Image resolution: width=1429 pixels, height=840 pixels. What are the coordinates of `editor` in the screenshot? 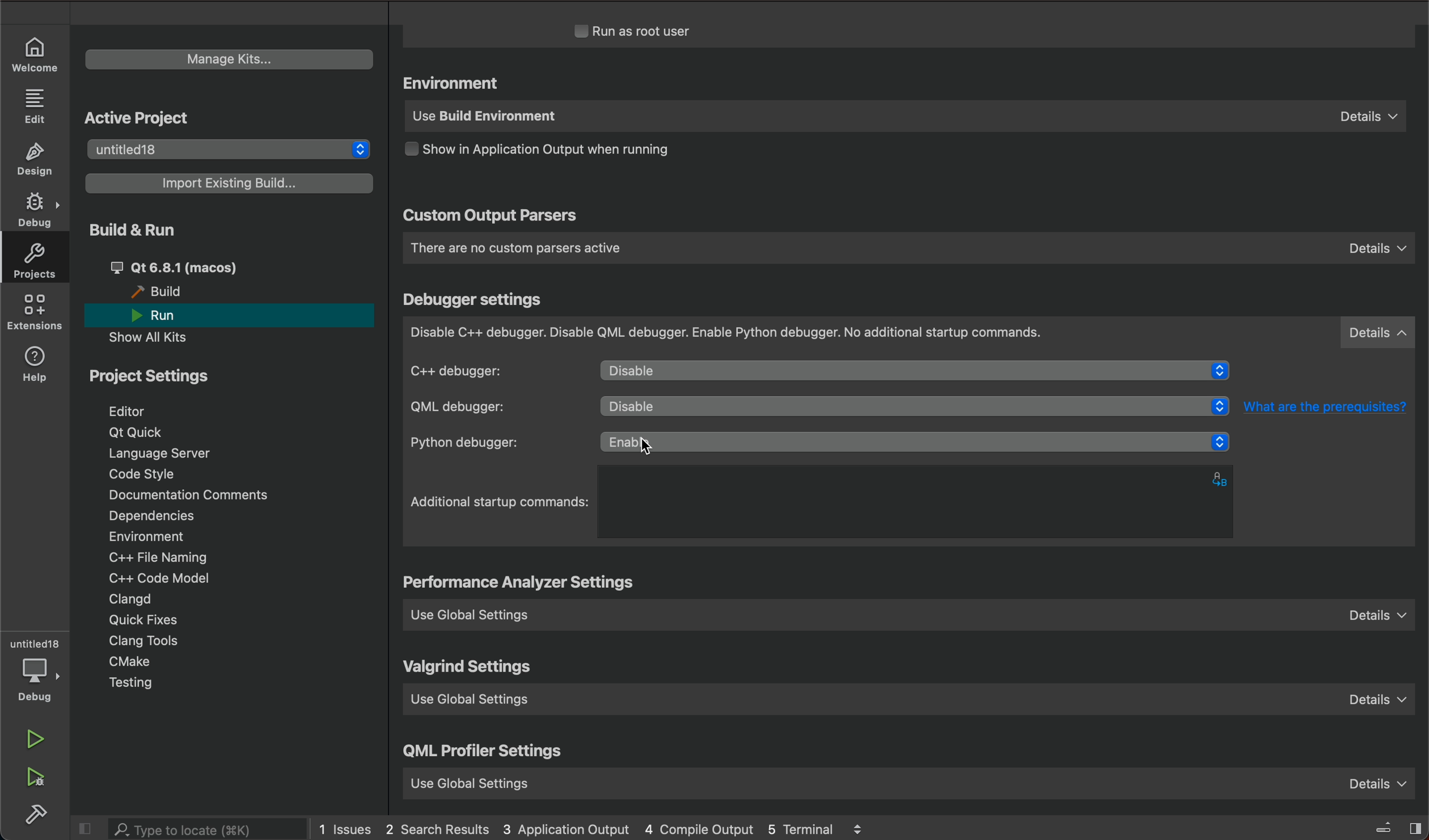 It's located at (130, 411).